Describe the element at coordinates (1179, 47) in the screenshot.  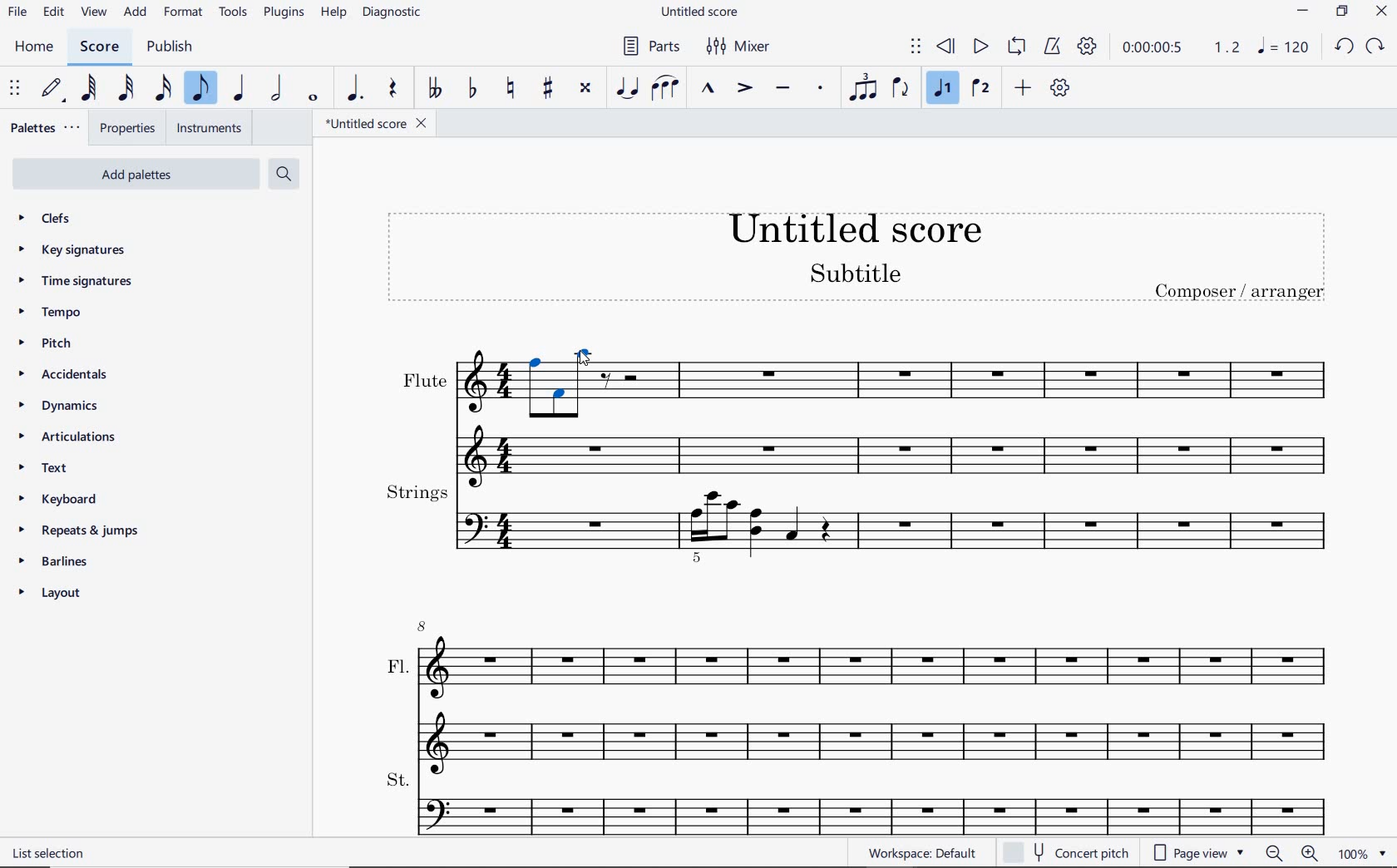
I see `PLAY TIME` at that location.